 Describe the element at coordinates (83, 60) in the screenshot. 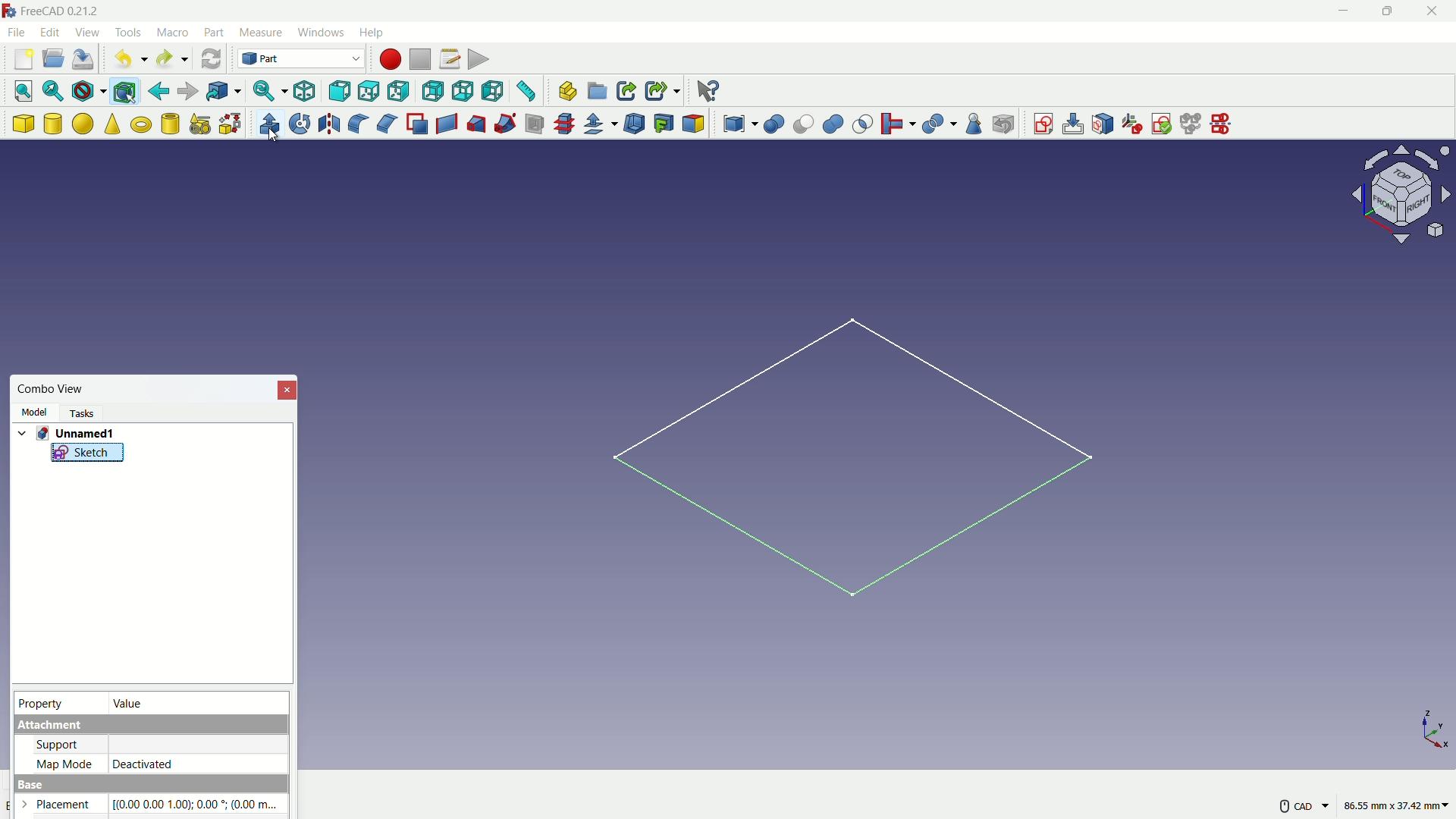

I see `save file` at that location.